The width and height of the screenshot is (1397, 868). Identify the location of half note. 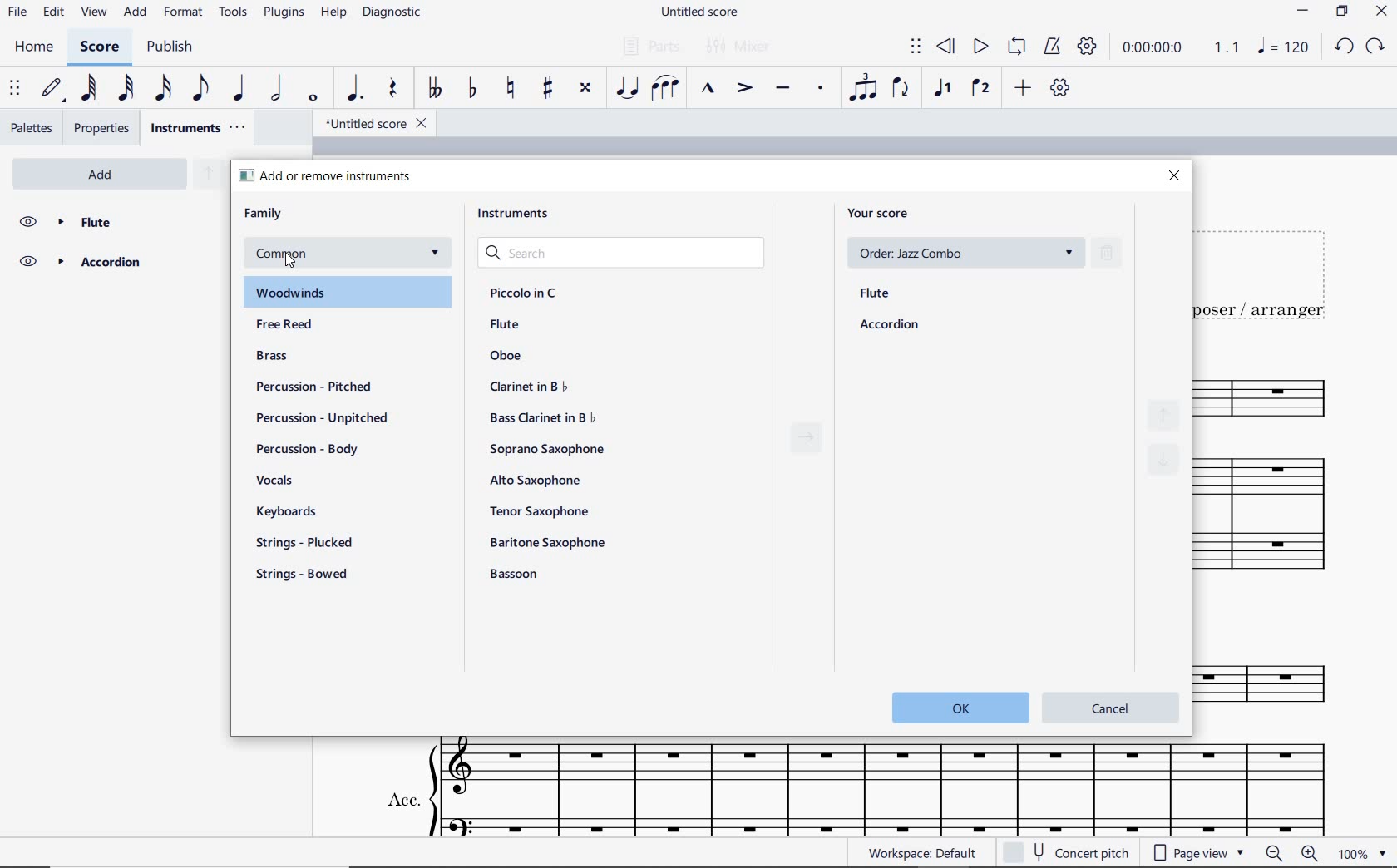
(279, 89).